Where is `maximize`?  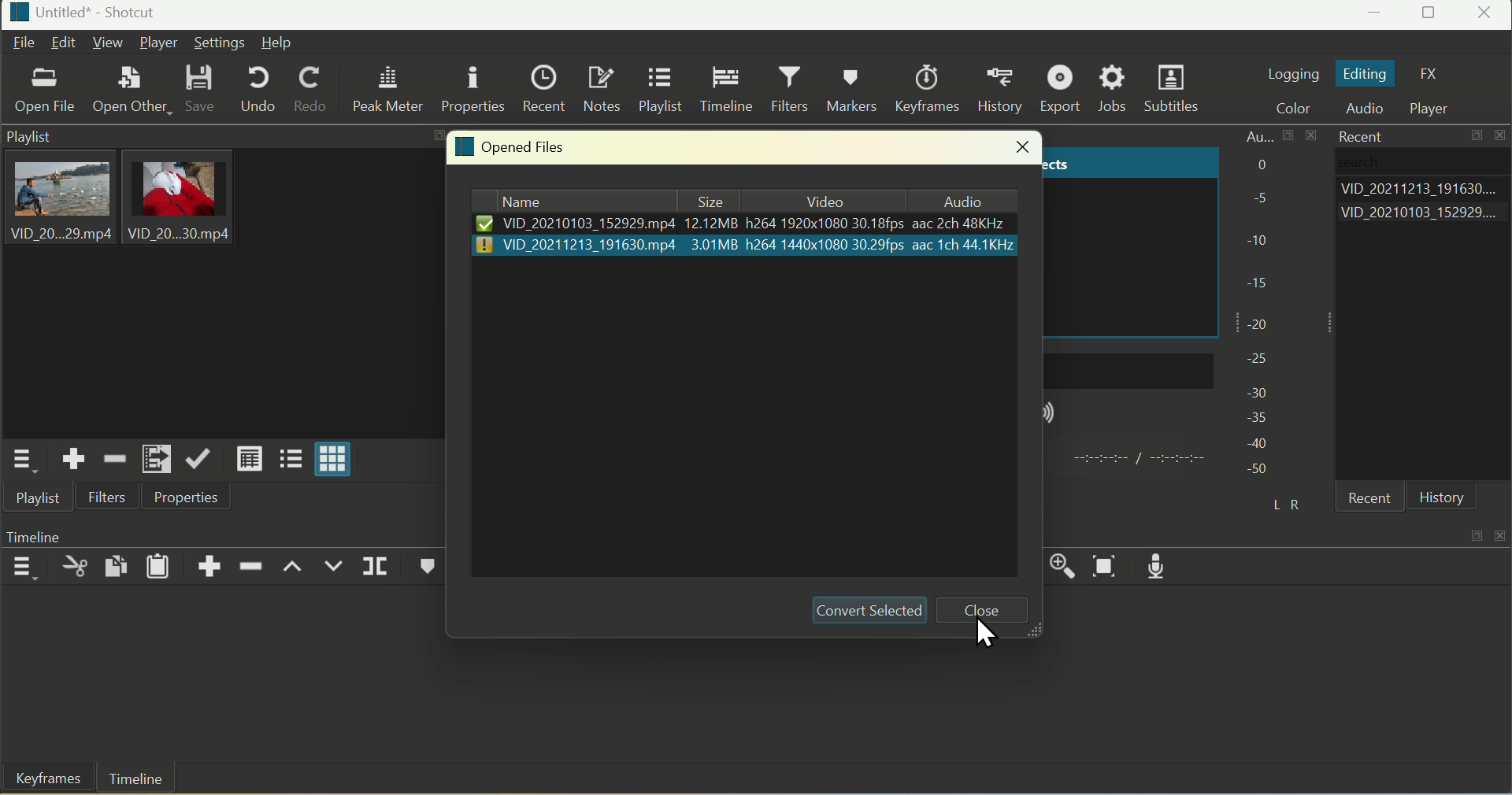
maximize is located at coordinates (1478, 138).